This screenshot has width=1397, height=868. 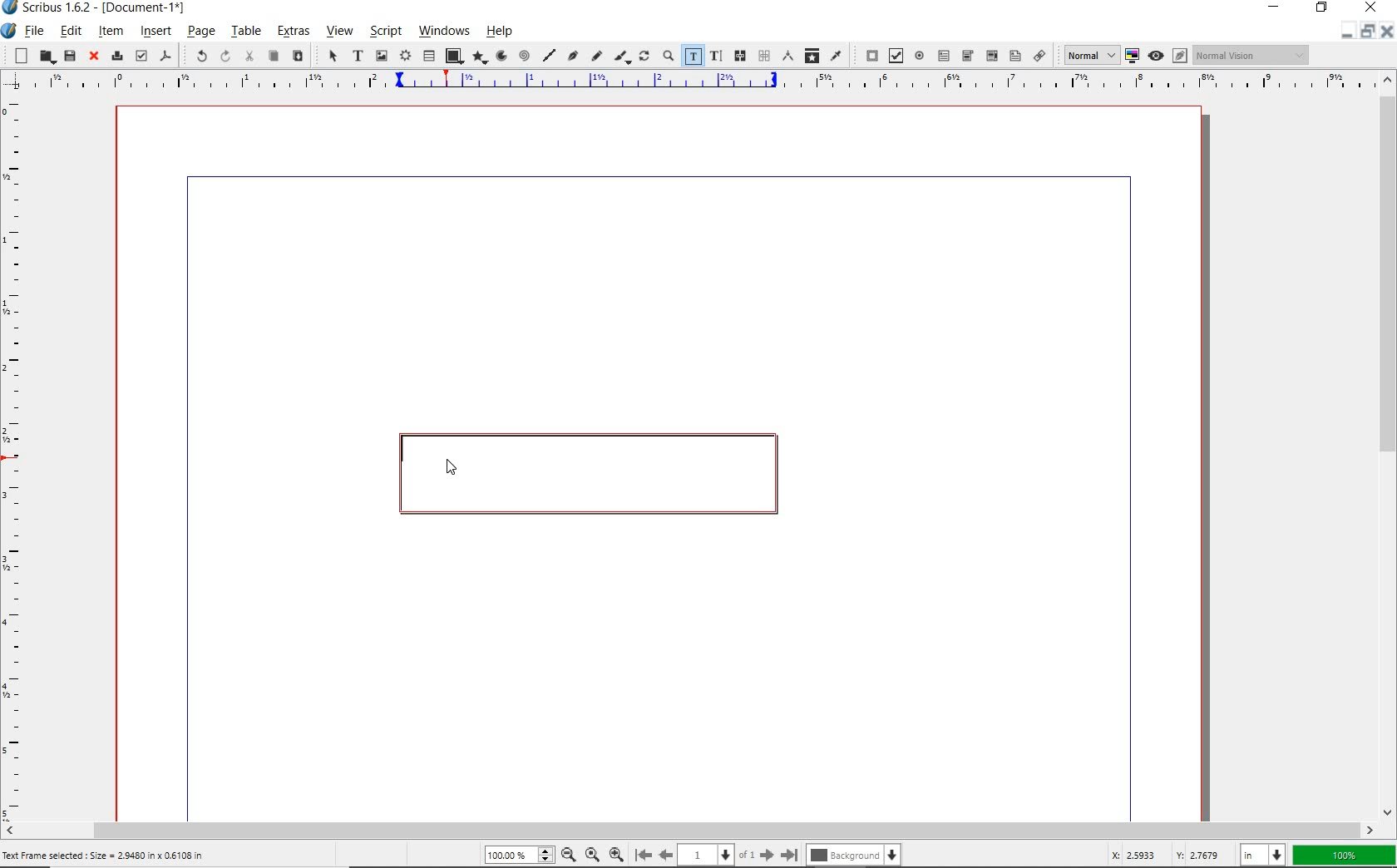 I want to click on save, so click(x=69, y=56).